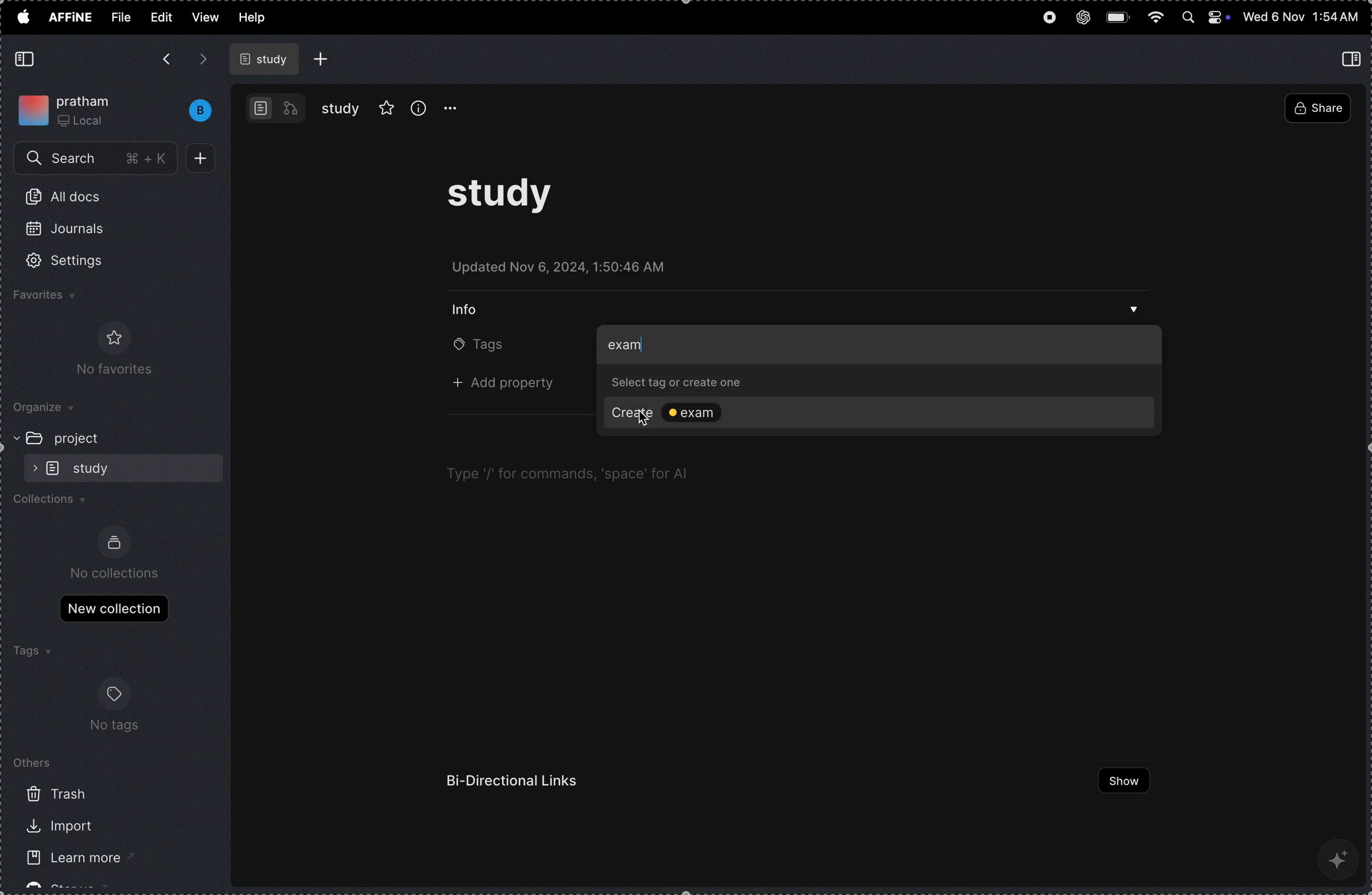  I want to click on favourites, so click(387, 106).